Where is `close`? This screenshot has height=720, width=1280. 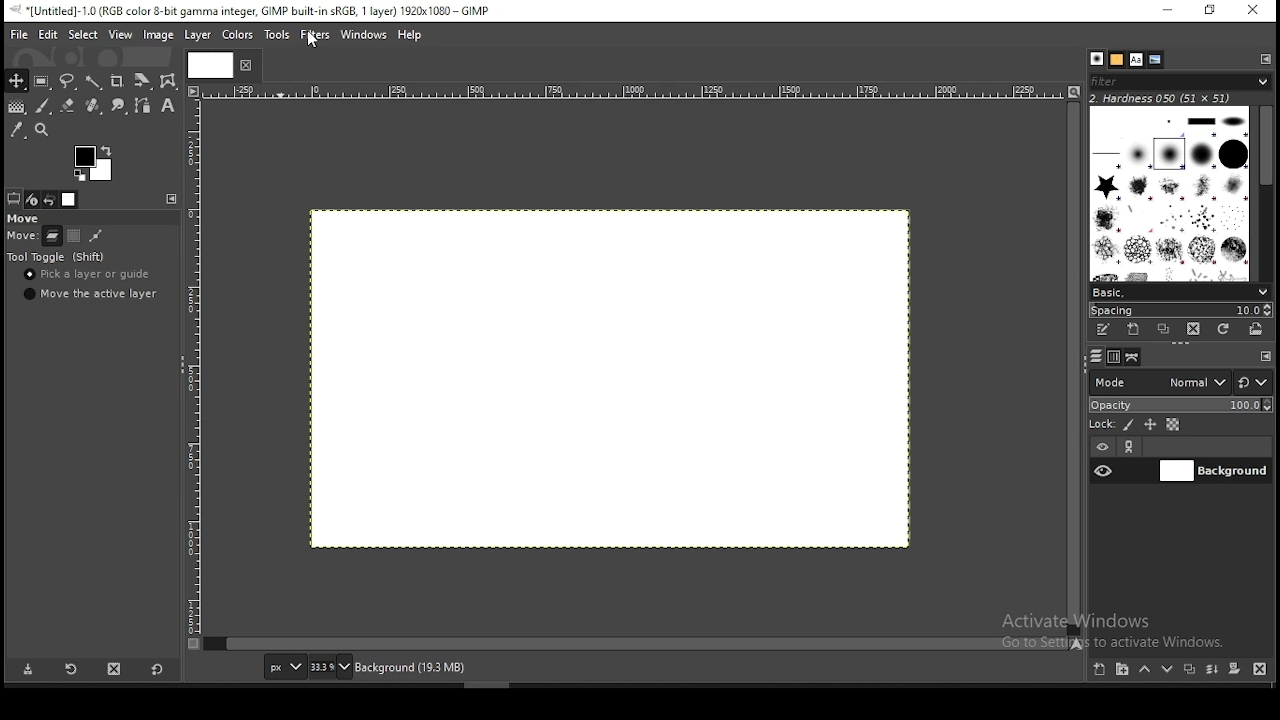
close is located at coordinates (244, 65).